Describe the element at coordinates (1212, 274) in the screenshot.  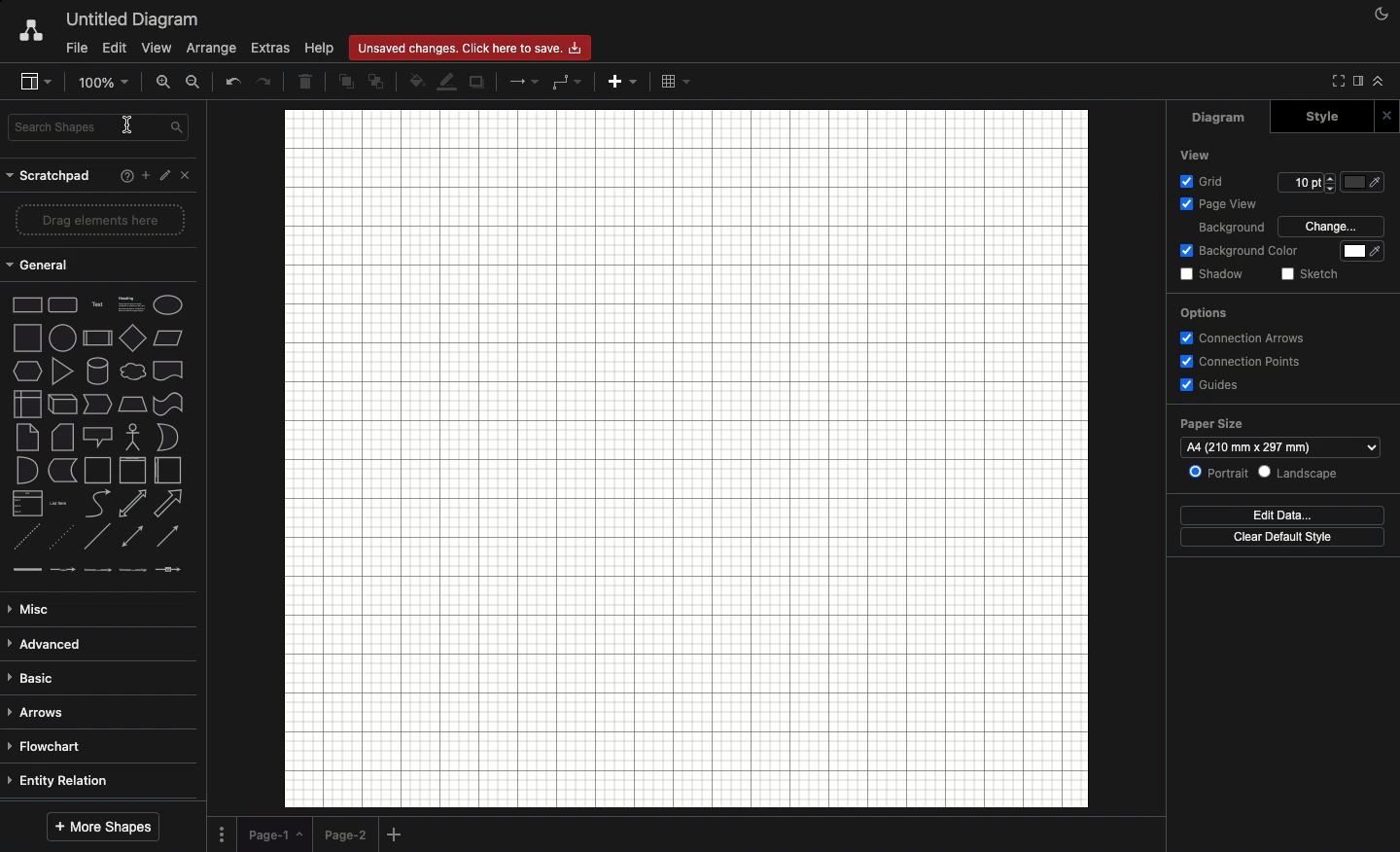
I see `Shadow` at that location.